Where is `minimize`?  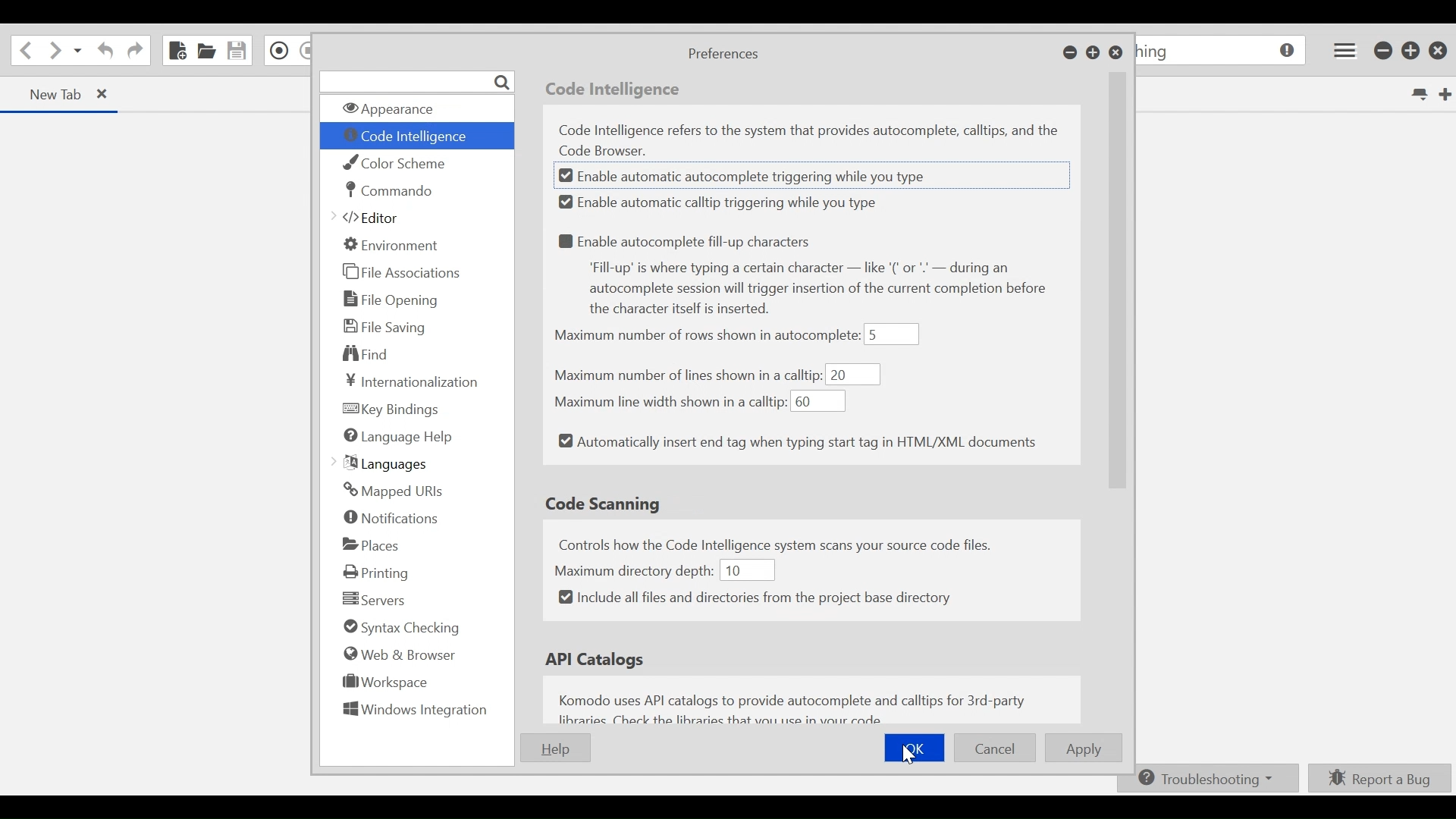 minimize is located at coordinates (1070, 54).